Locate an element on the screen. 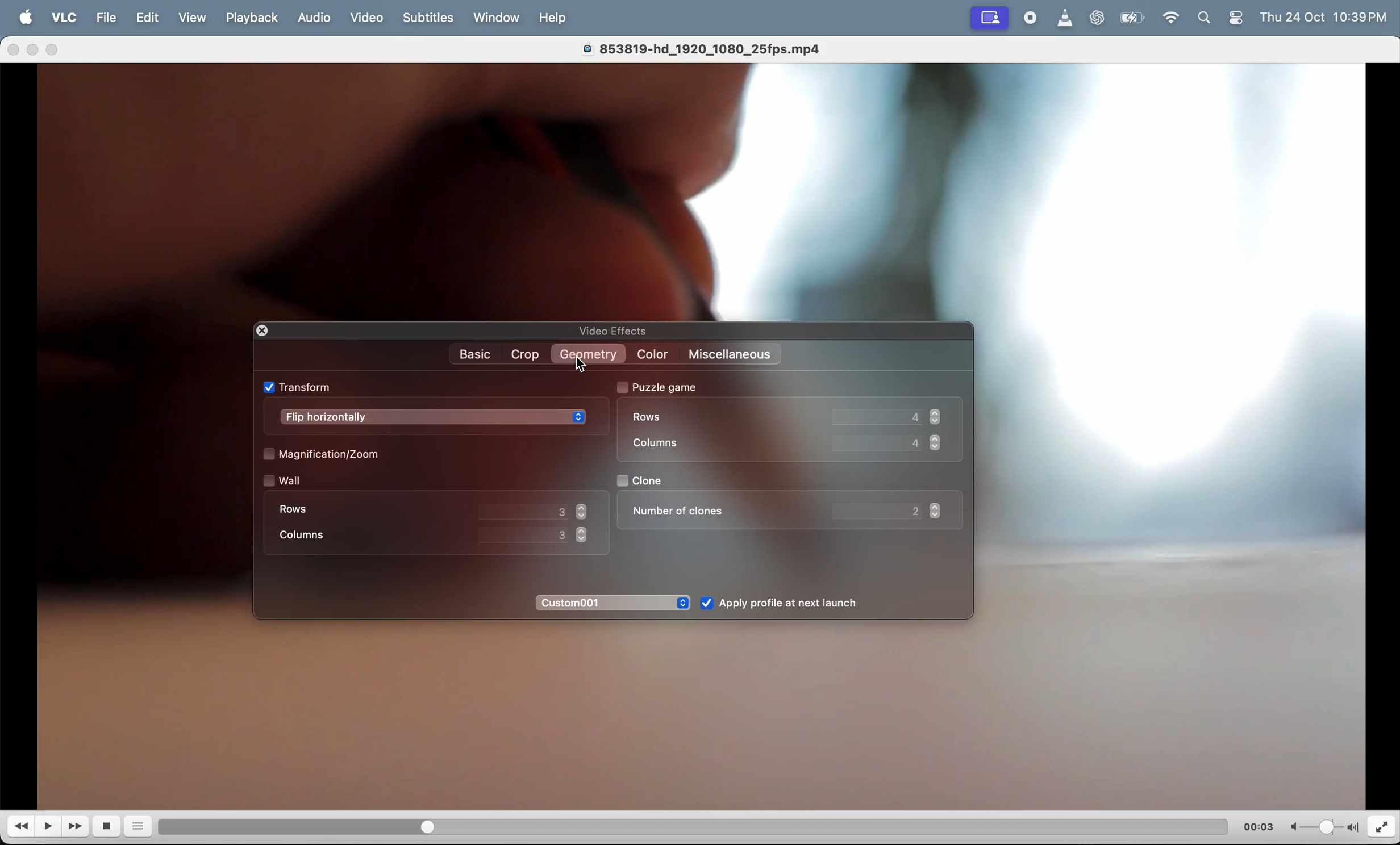 The width and height of the screenshot is (1400, 845). wall is located at coordinates (301, 480).